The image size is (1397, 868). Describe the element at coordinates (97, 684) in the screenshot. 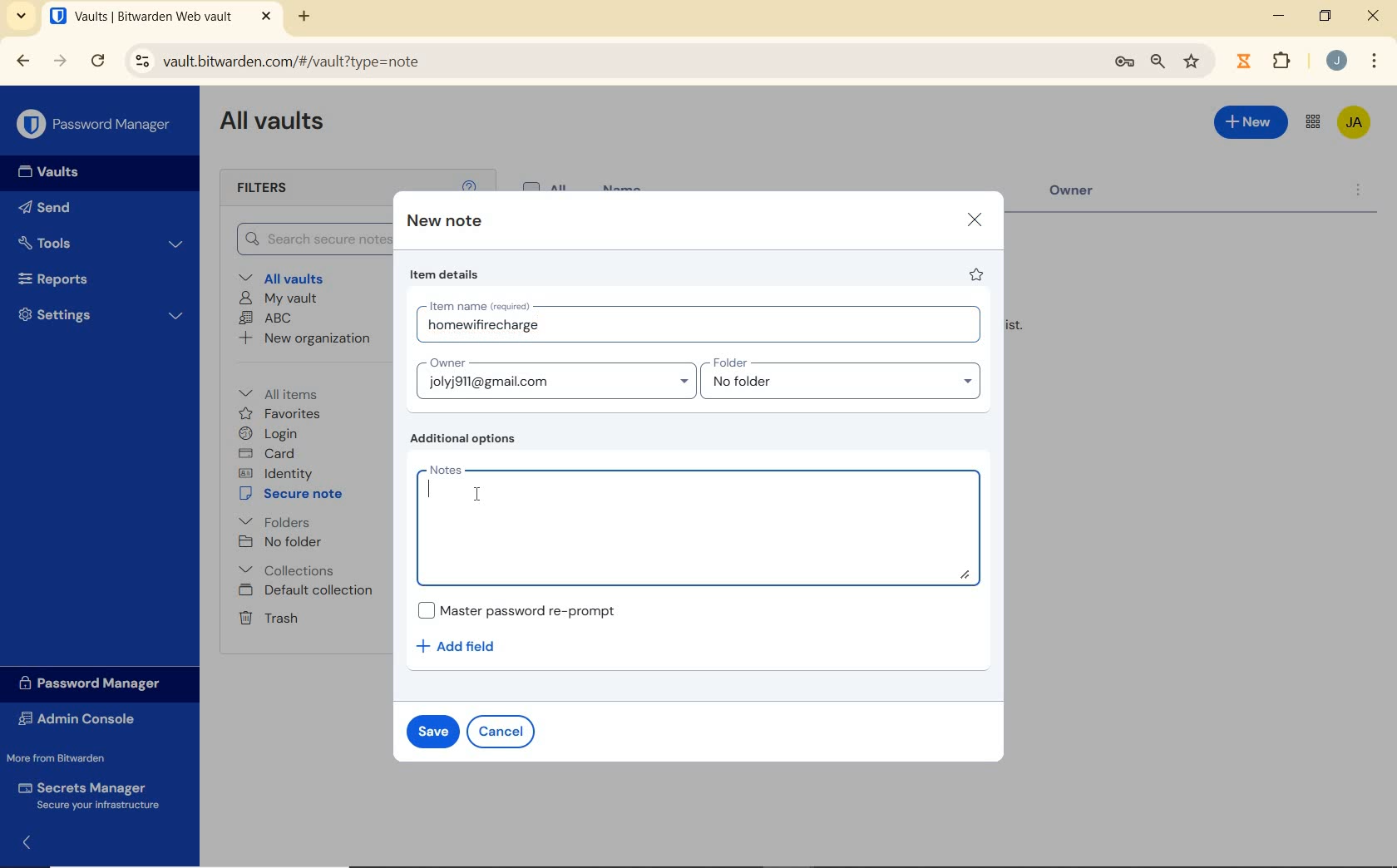

I see `Password Manager` at that location.